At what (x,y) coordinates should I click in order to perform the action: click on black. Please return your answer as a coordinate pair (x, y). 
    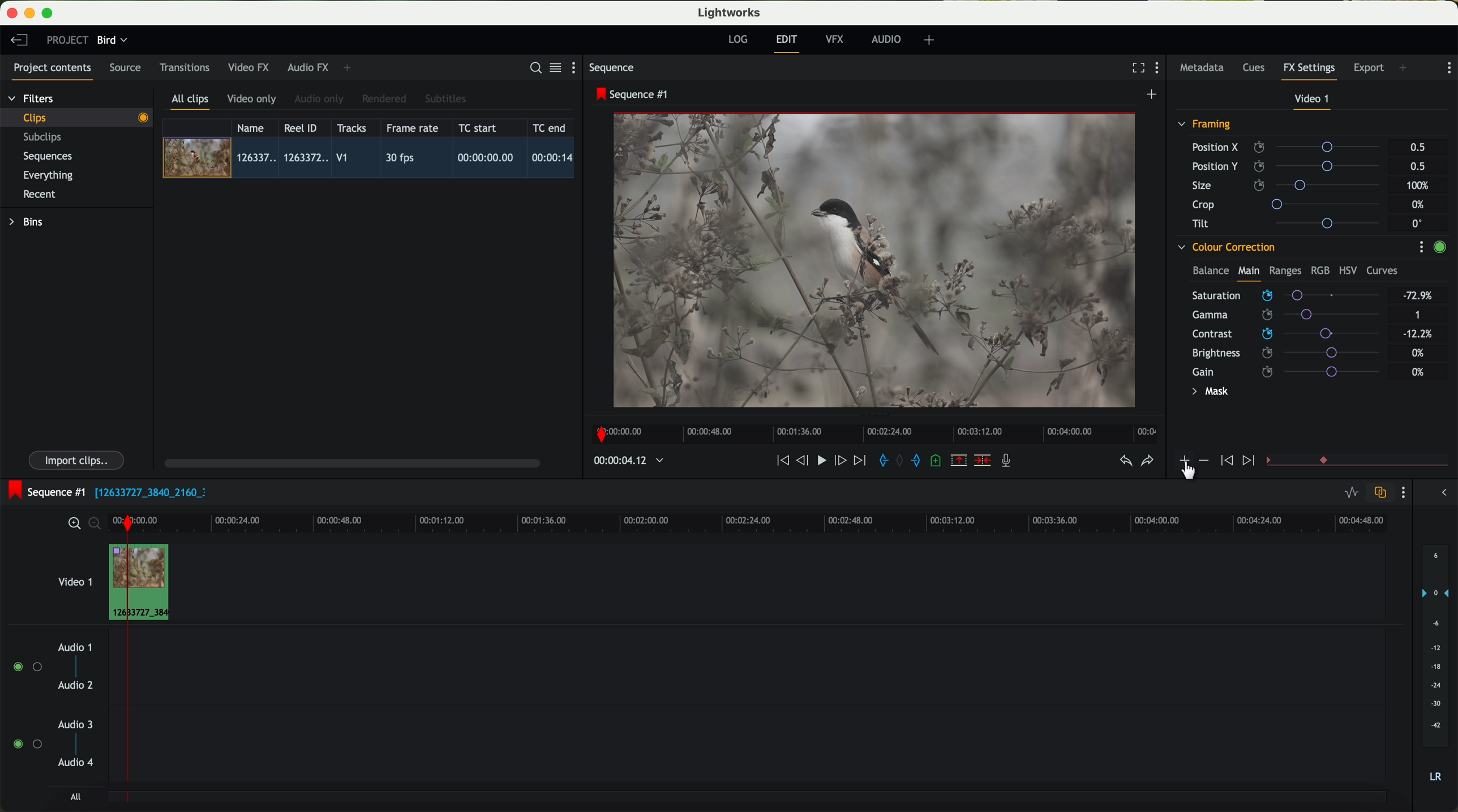
    Looking at the image, I should click on (146, 491).